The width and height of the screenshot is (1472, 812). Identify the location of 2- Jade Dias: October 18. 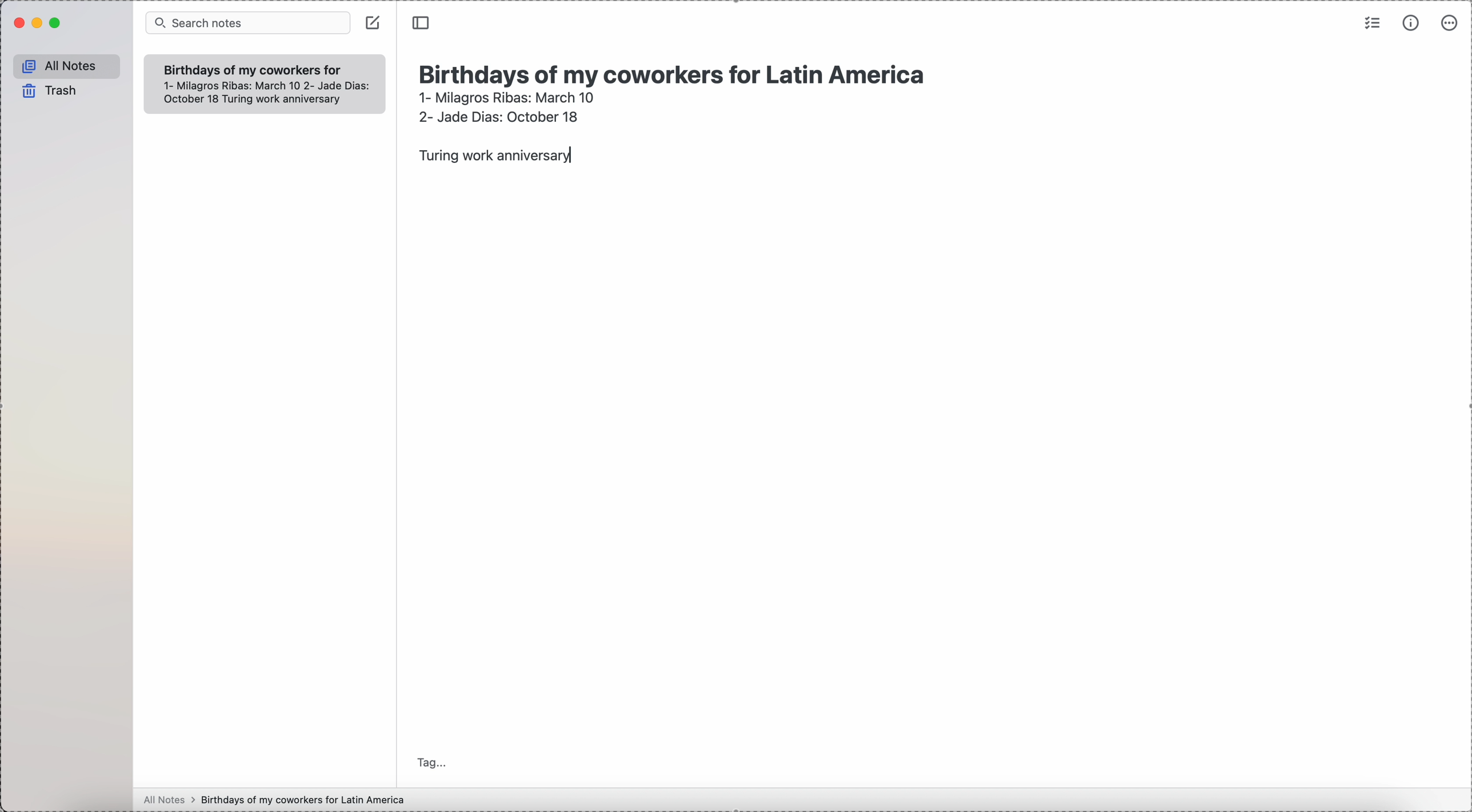
(497, 115).